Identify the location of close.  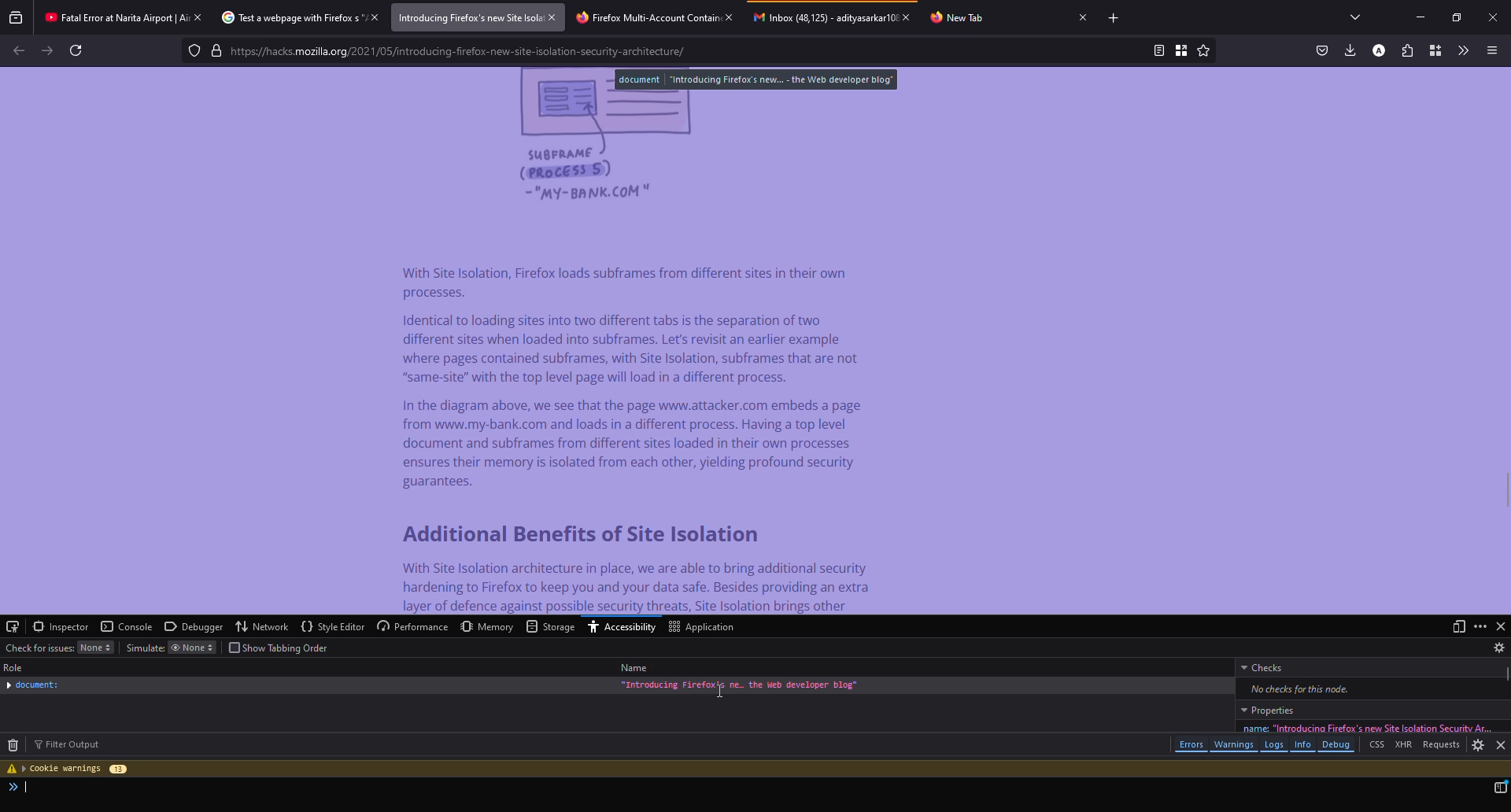
(1493, 17).